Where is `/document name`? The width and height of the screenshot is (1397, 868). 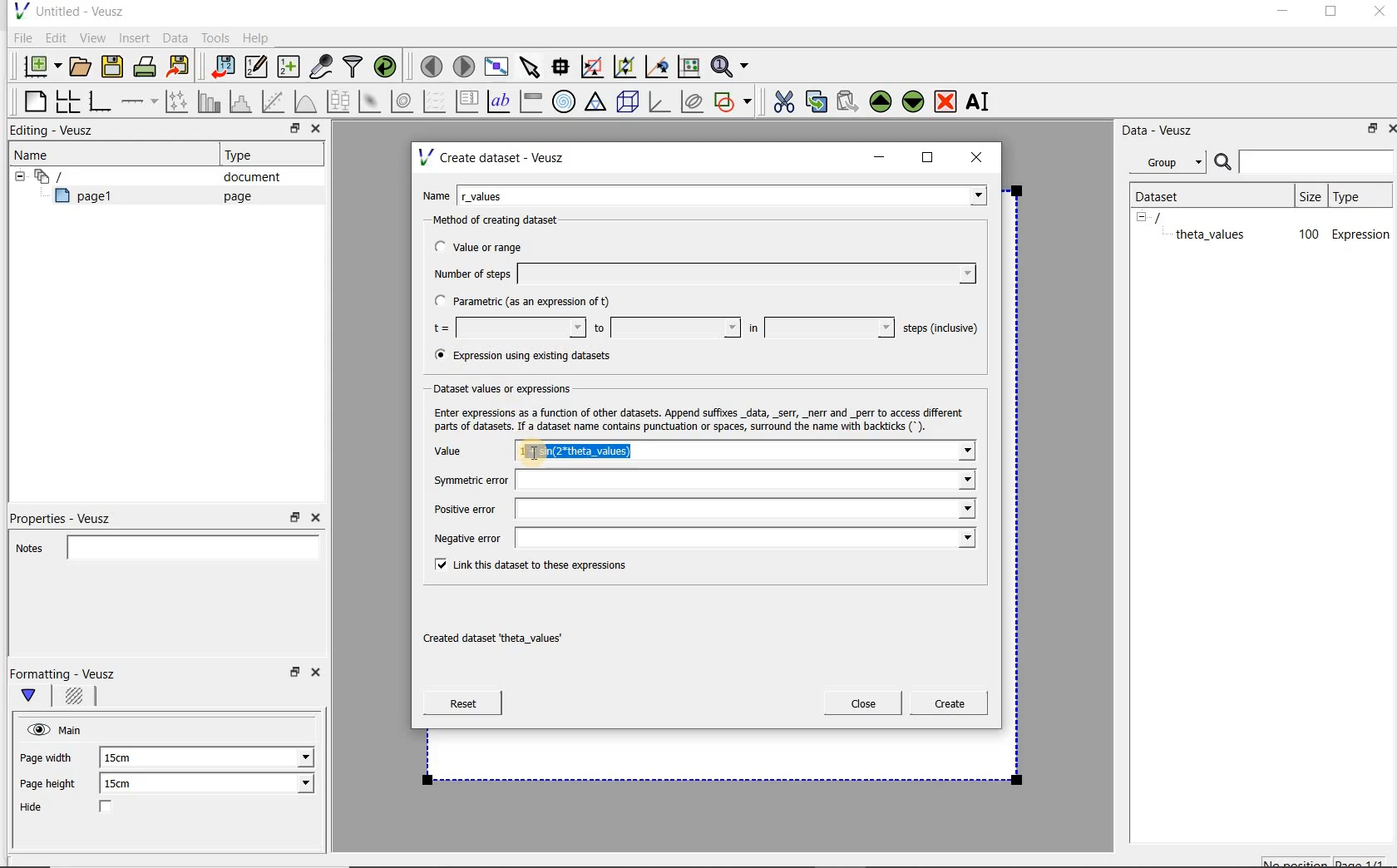
/document name is located at coordinates (1172, 216).